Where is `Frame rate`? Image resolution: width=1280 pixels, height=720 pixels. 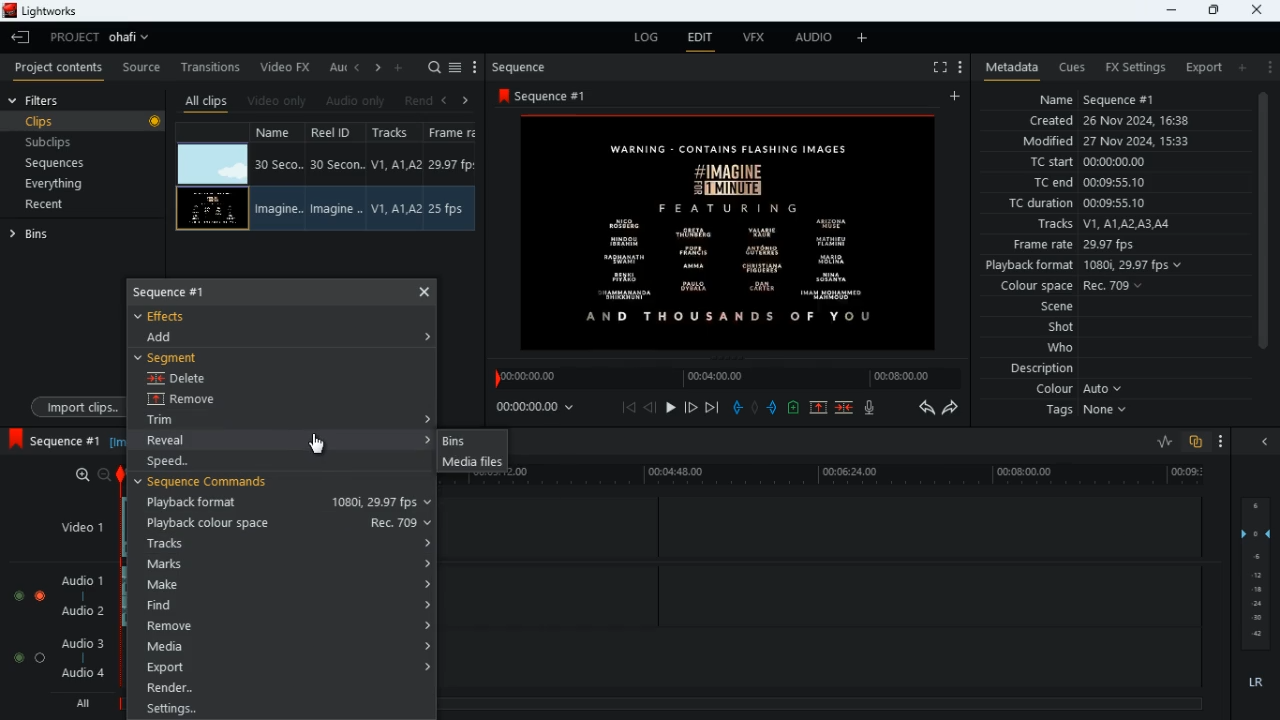 Frame rate is located at coordinates (453, 165).